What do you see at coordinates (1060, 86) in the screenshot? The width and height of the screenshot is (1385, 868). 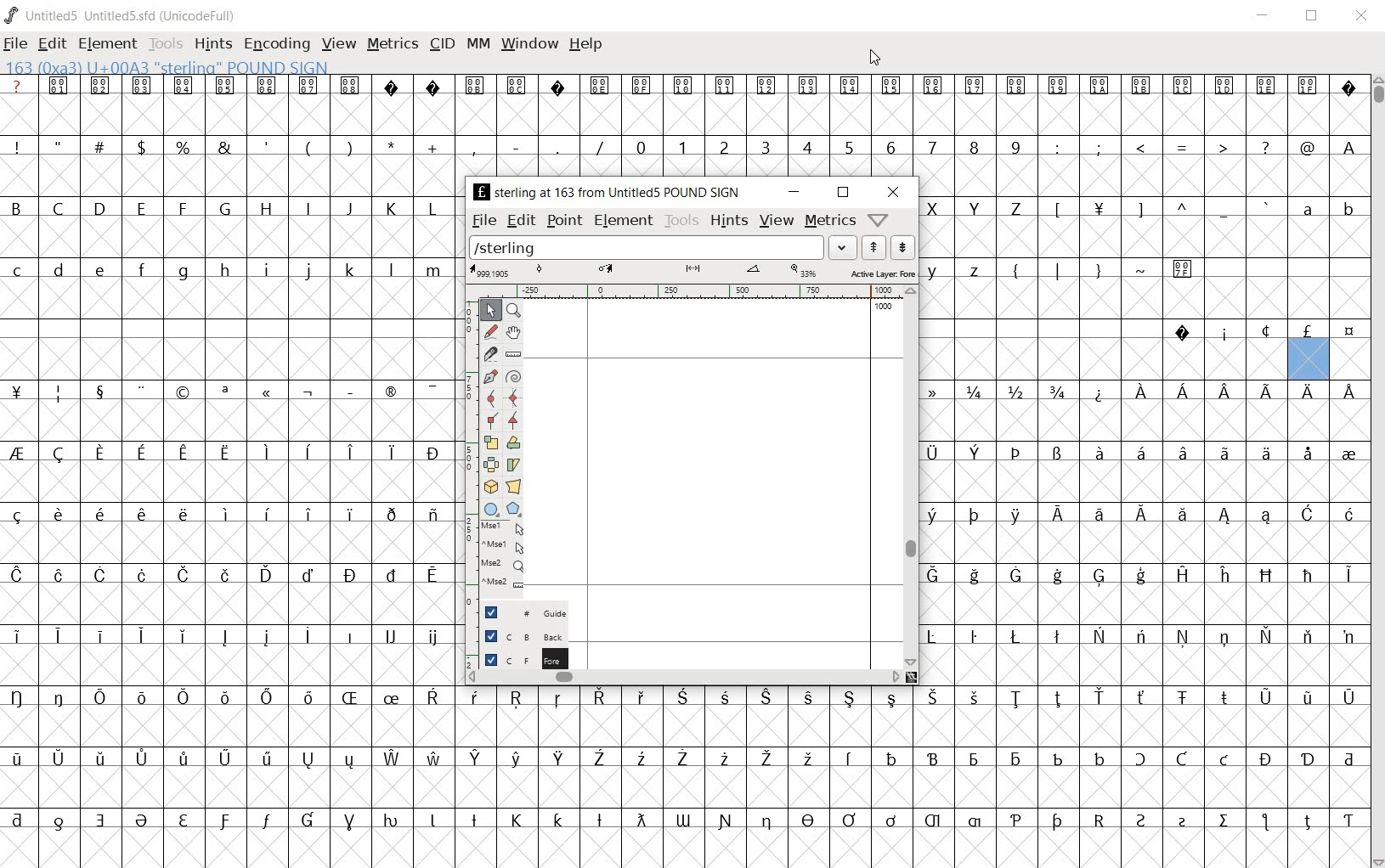 I see `Symbol` at bounding box center [1060, 86].